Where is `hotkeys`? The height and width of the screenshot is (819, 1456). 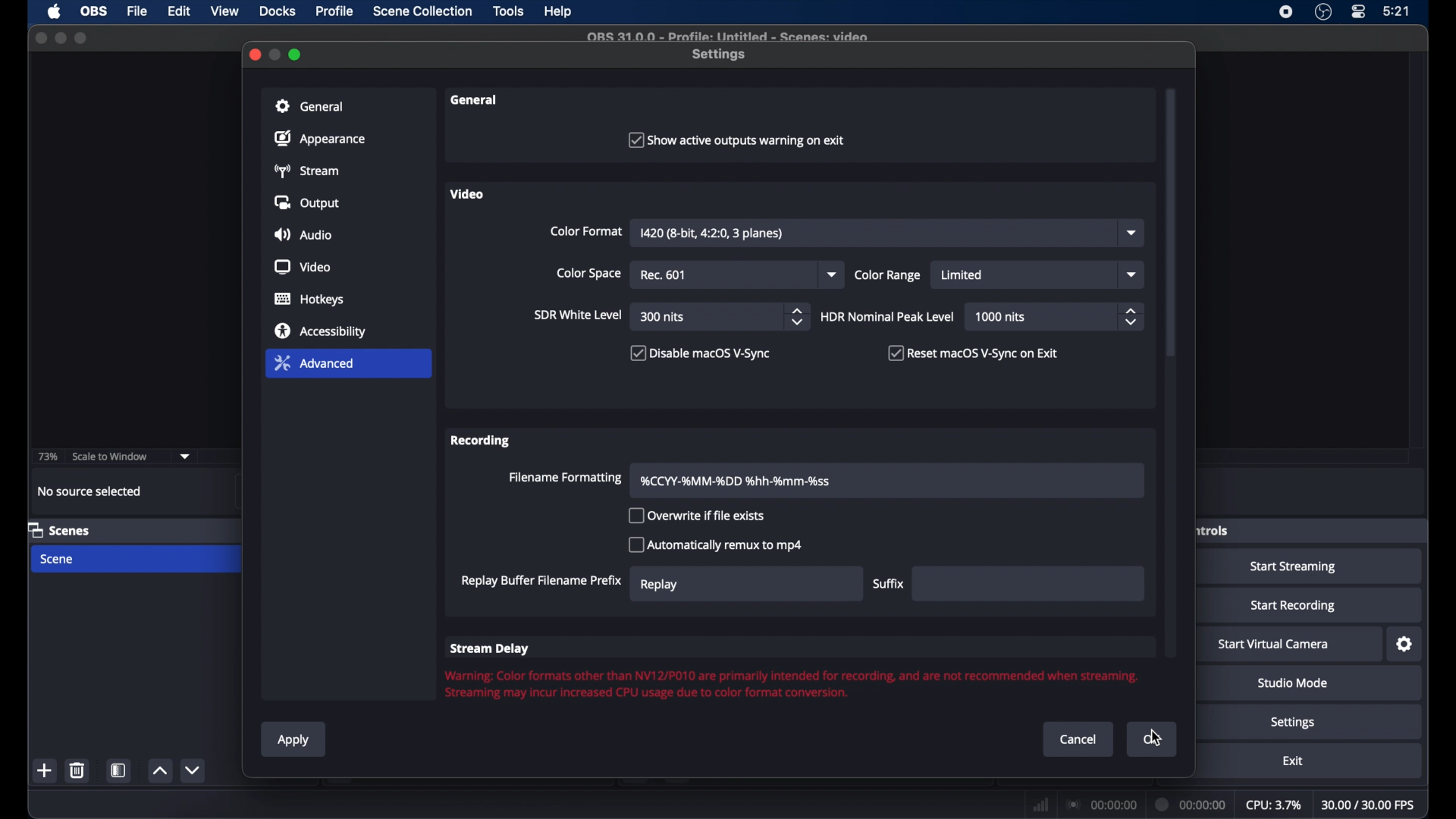 hotkeys is located at coordinates (309, 299).